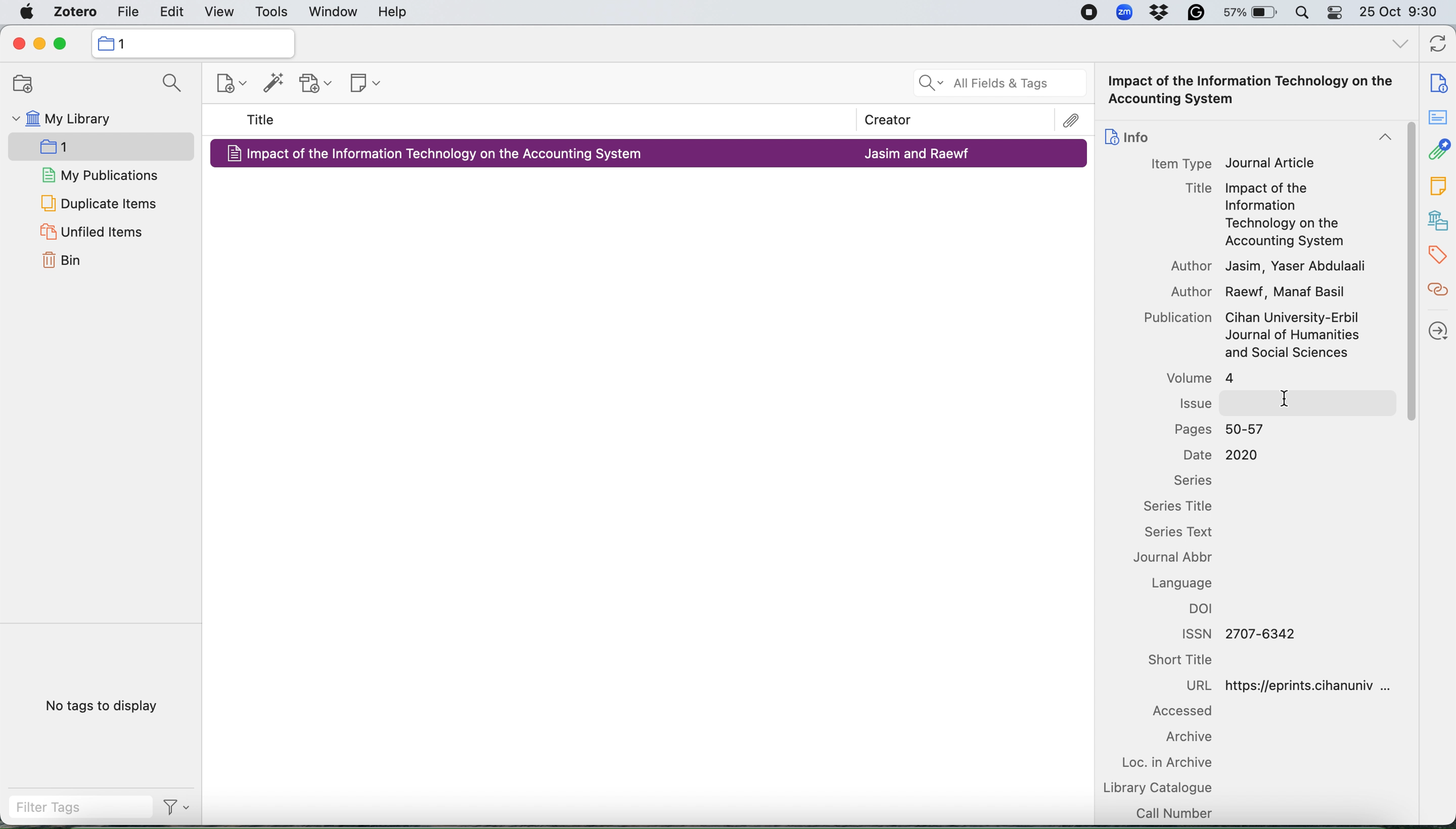  Describe the element at coordinates (883, 117) in the screenshot. I see `Creator` at that location.